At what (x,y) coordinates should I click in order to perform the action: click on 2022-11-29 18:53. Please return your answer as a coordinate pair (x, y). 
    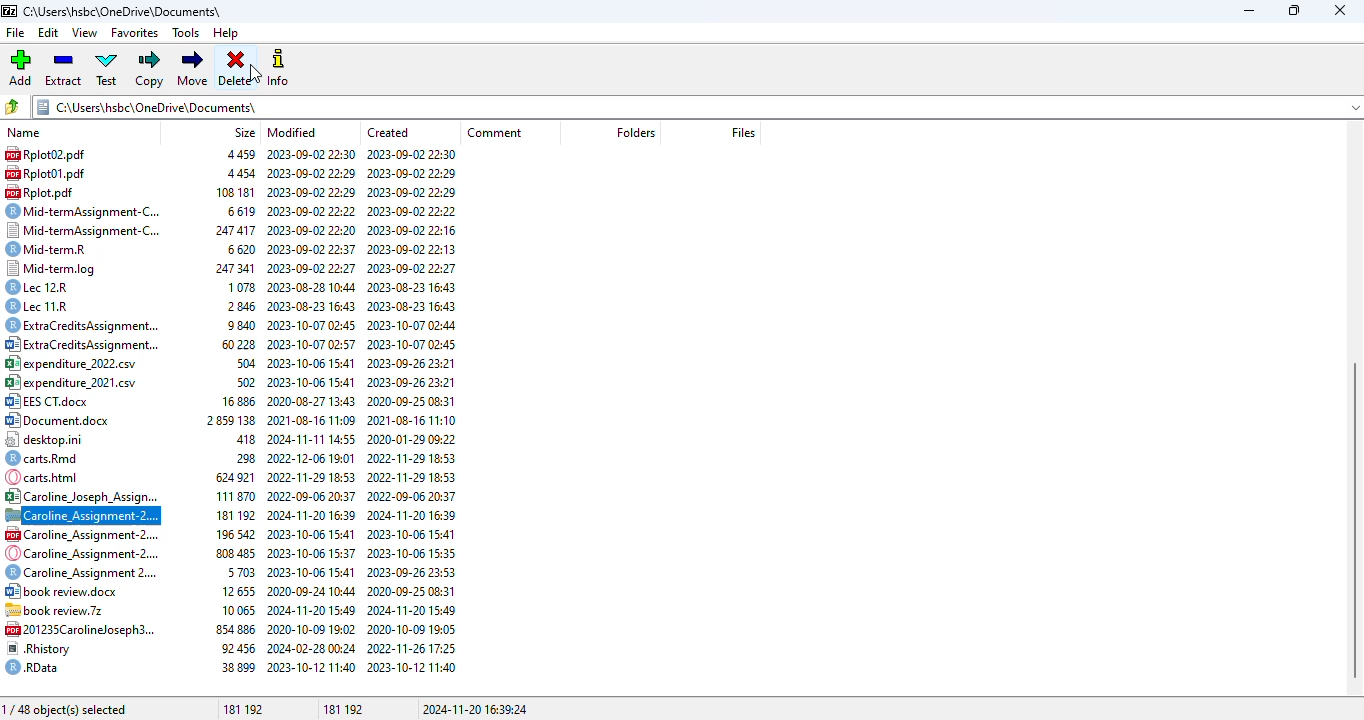
    Looking at the image, I should click on (410, 459).